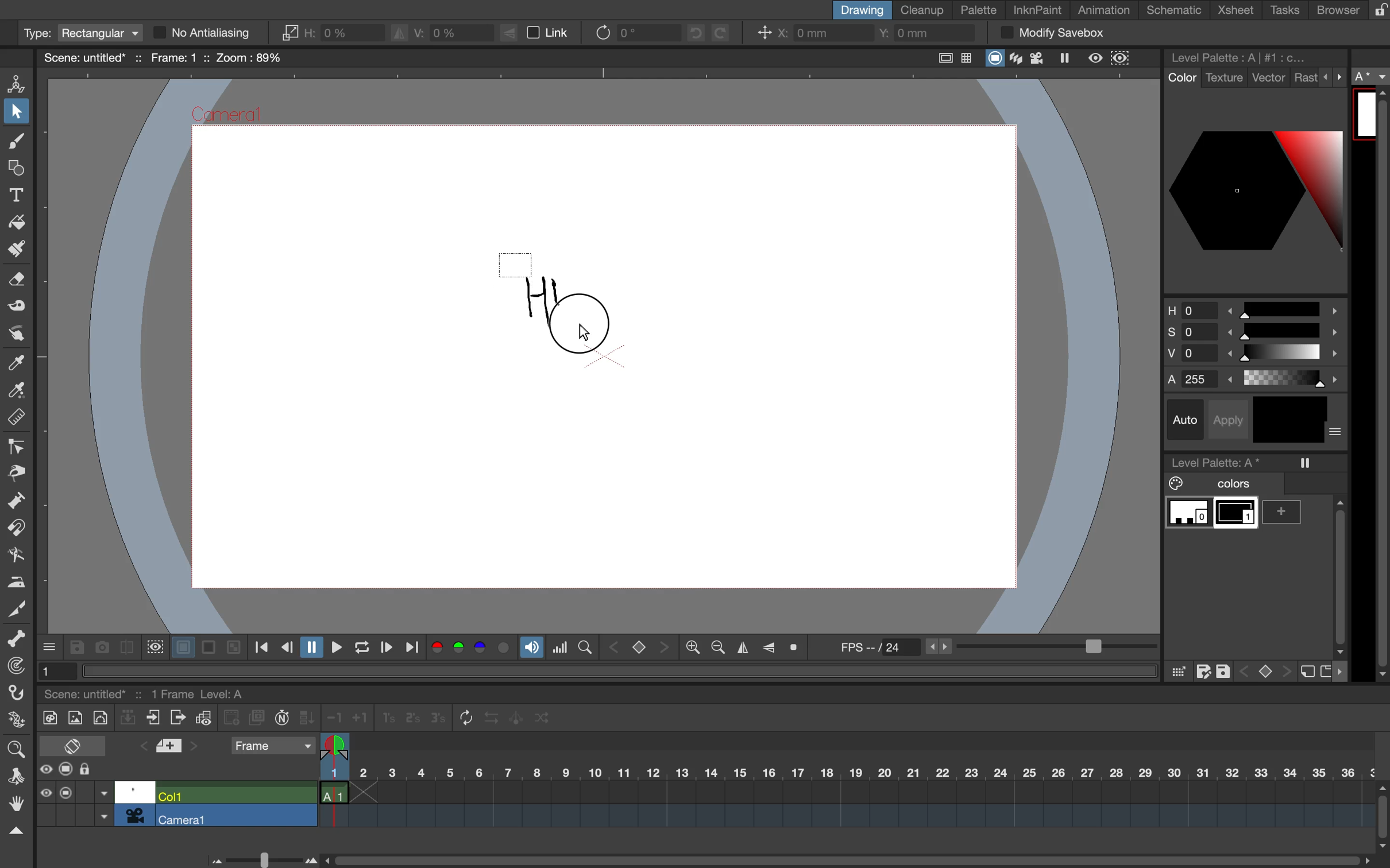 This screenshot has height=868, width=1390. I want to click on cutter tool, so click(17, 607).